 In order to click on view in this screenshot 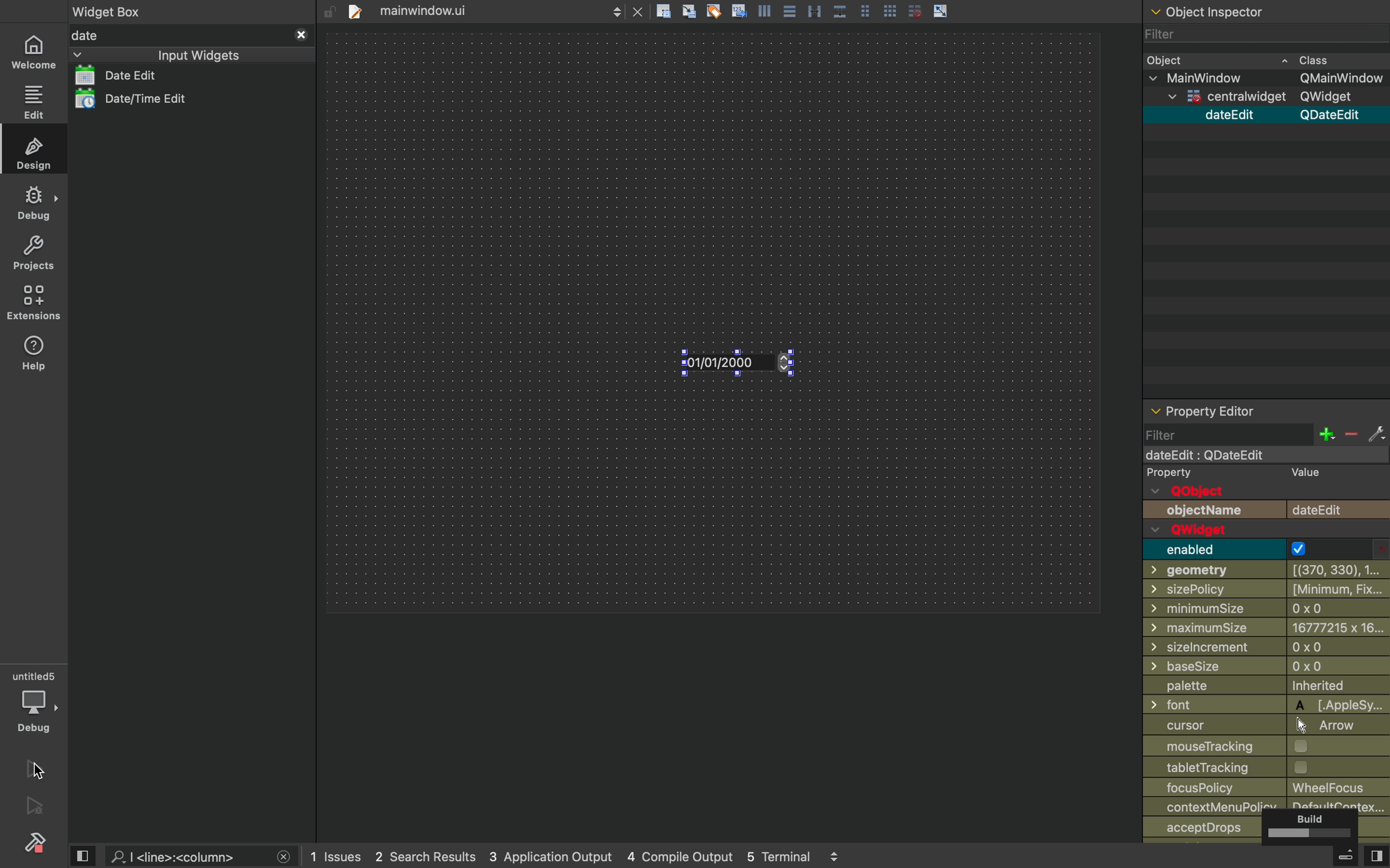, I will do `click(81, 855)`.